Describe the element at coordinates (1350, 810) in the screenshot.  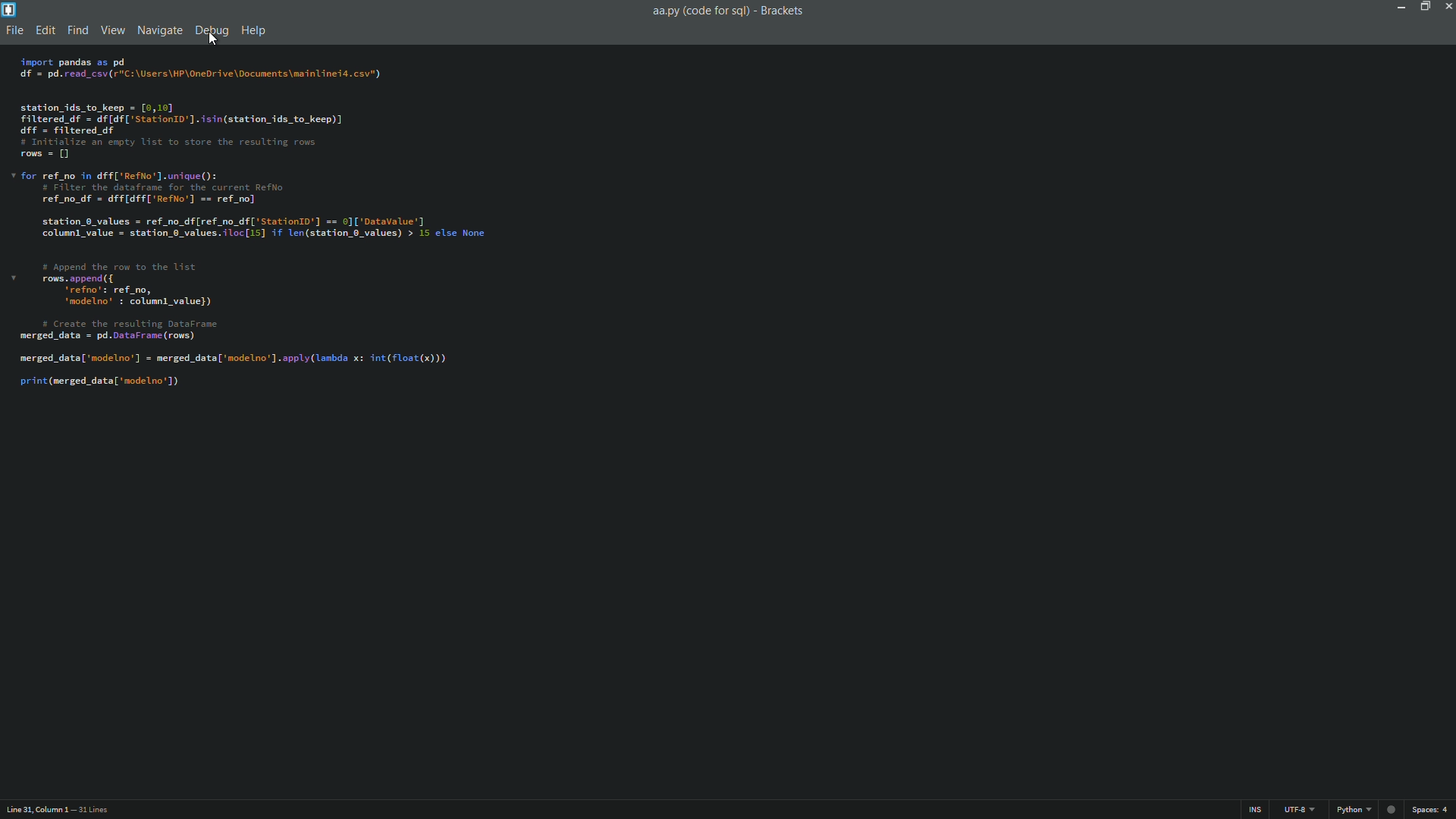
I see `Python` at that location.